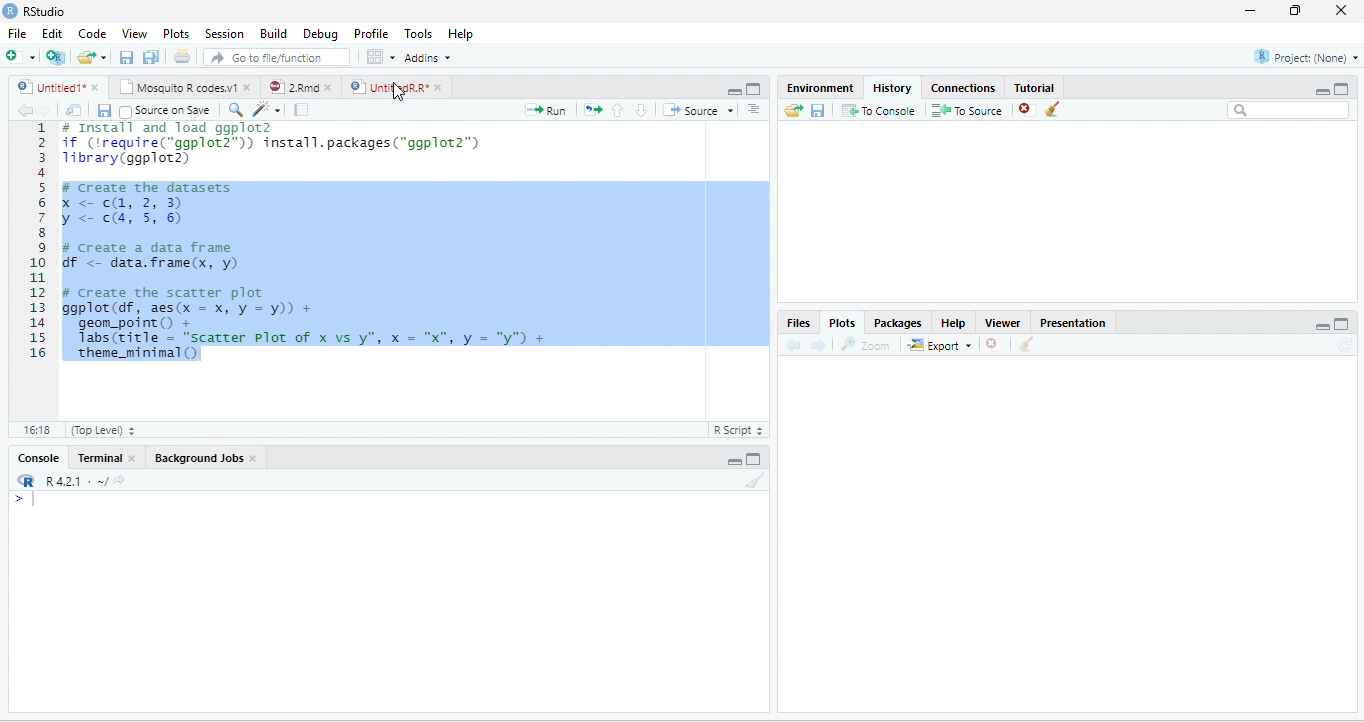 This screenshot has width=1364, height=722. I want to click on Open recent files, so click(103, 57).